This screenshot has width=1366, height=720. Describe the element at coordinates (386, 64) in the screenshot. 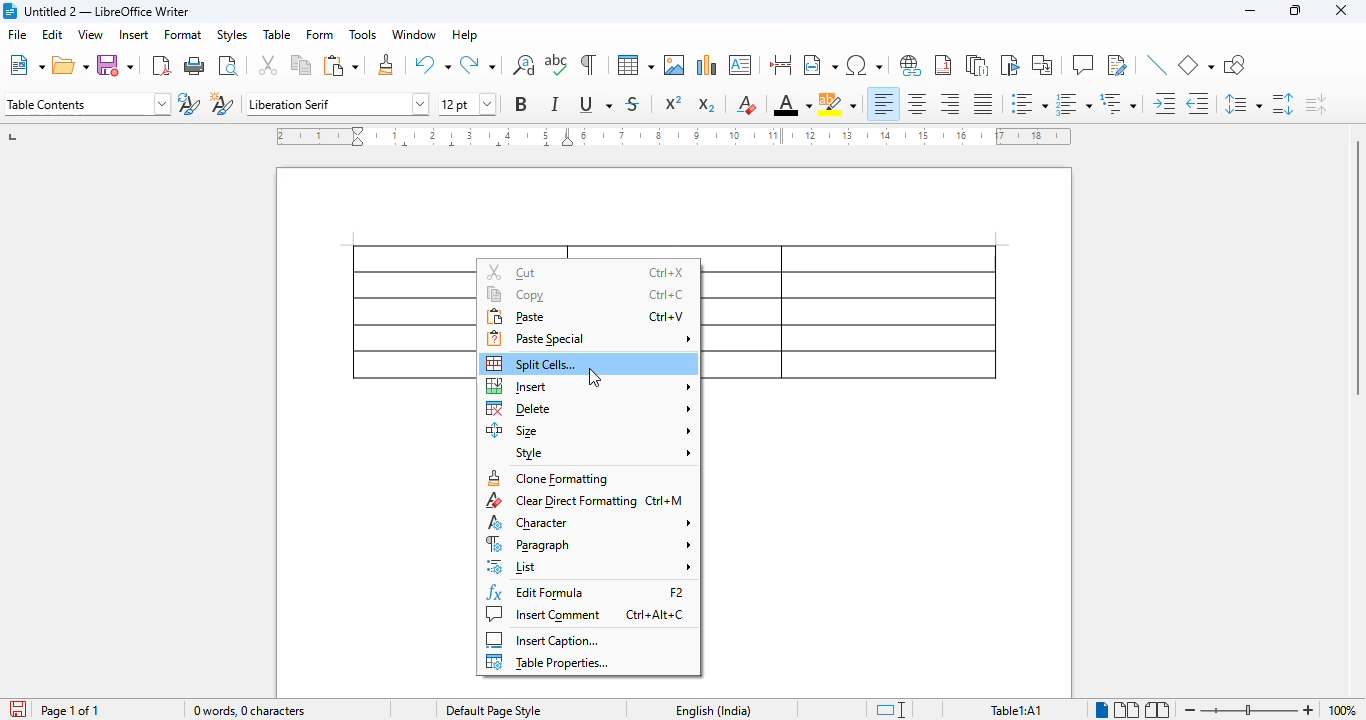

I see `clone formatting` at that location.